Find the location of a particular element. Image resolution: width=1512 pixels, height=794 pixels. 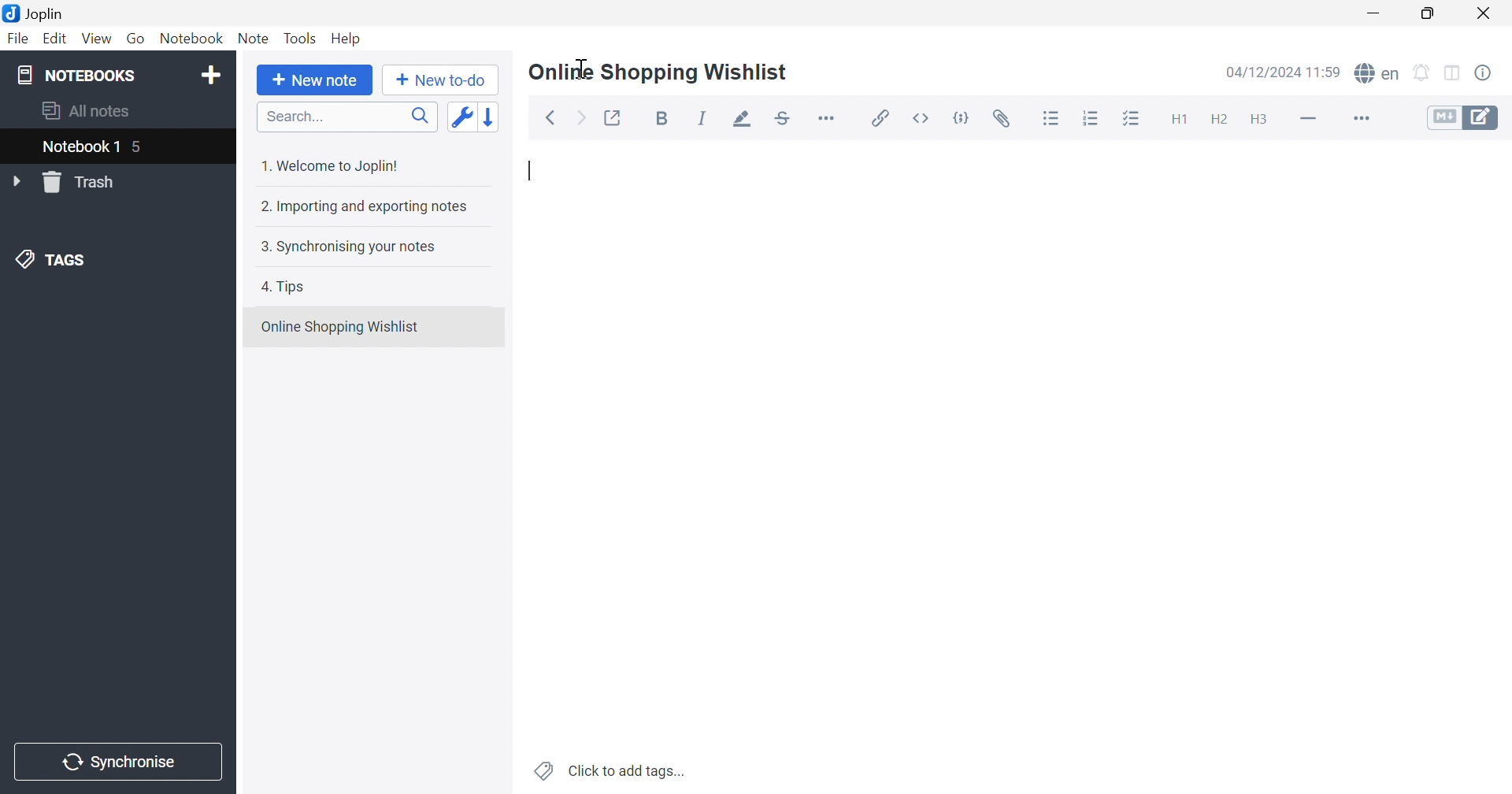

Spell checker is located at coordinates (1378, 73).